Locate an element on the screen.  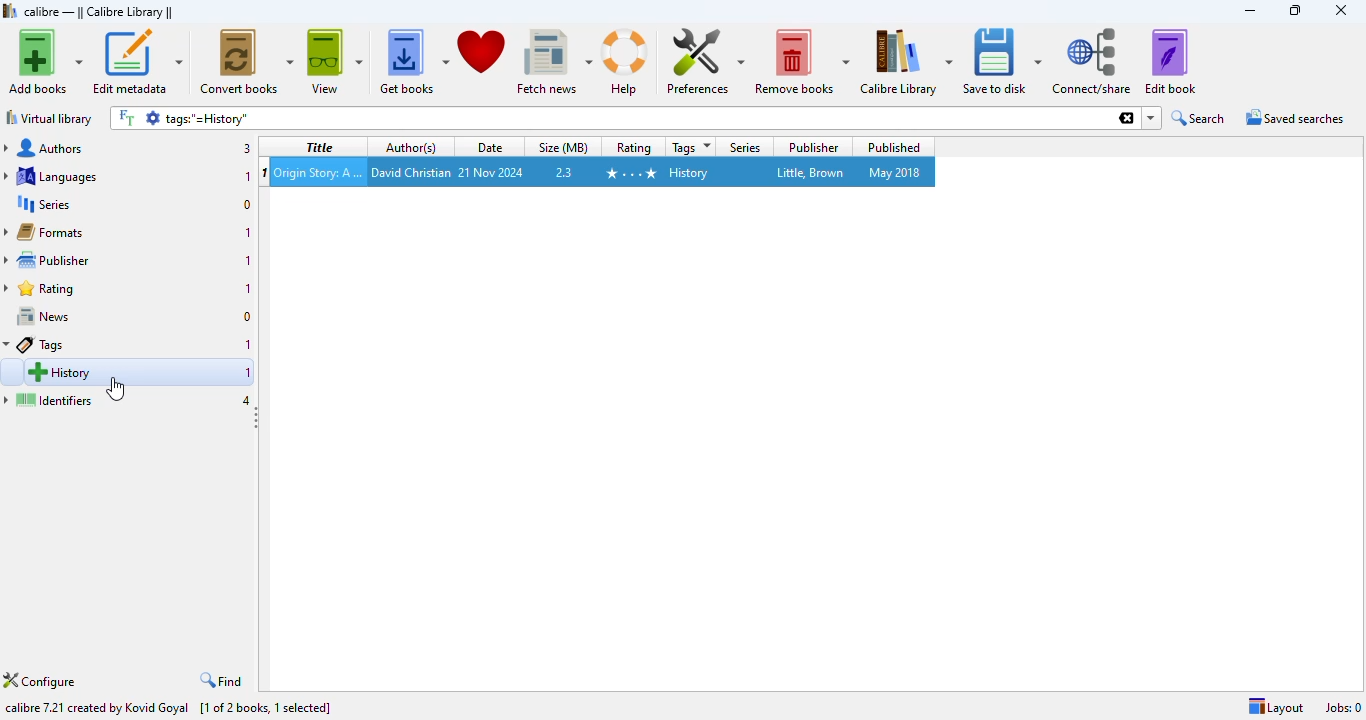
publisher is located at coordinates (813, 147).